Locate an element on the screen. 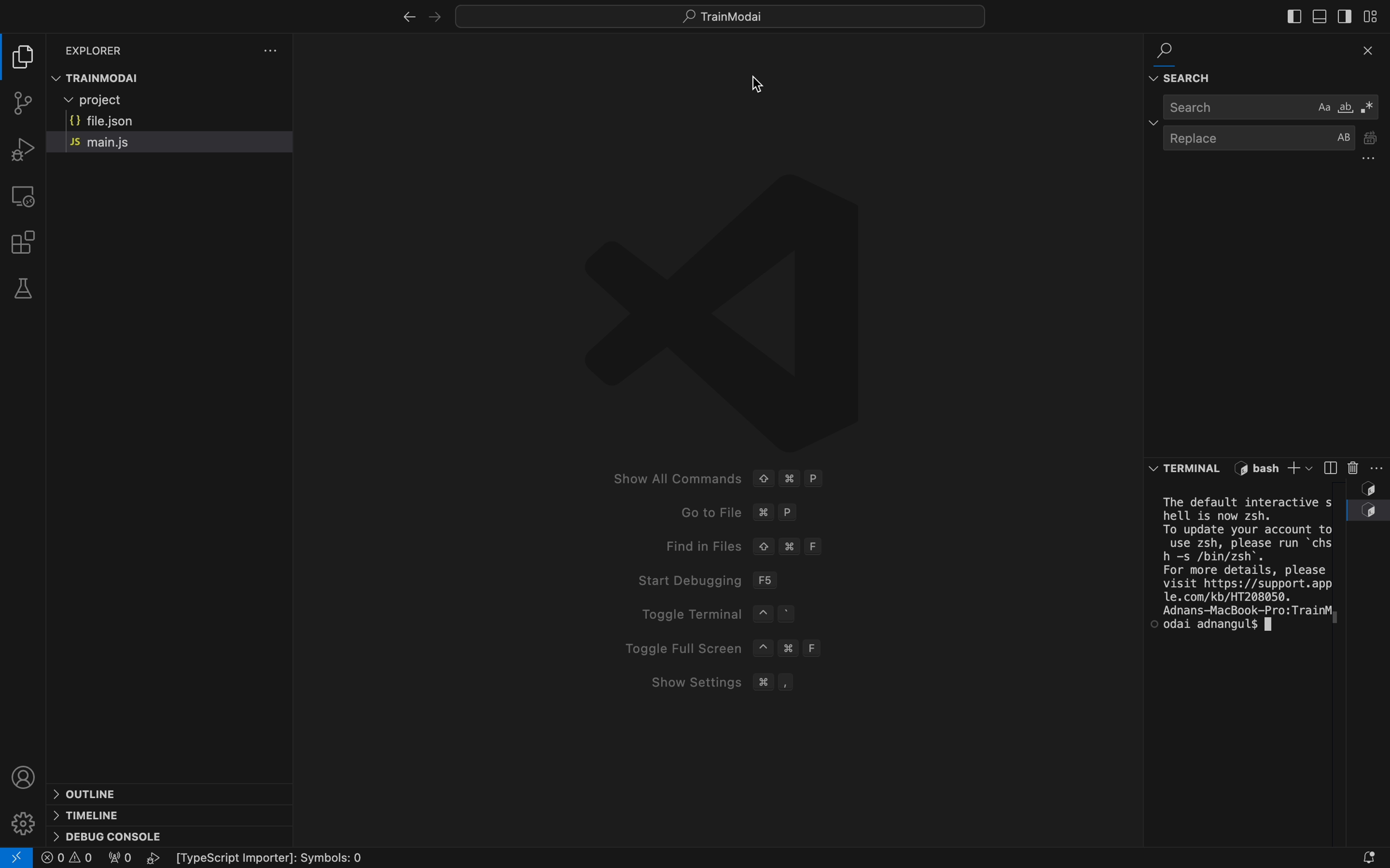 The image size is (1390, 868). folder is located at coordinates (23, 56).